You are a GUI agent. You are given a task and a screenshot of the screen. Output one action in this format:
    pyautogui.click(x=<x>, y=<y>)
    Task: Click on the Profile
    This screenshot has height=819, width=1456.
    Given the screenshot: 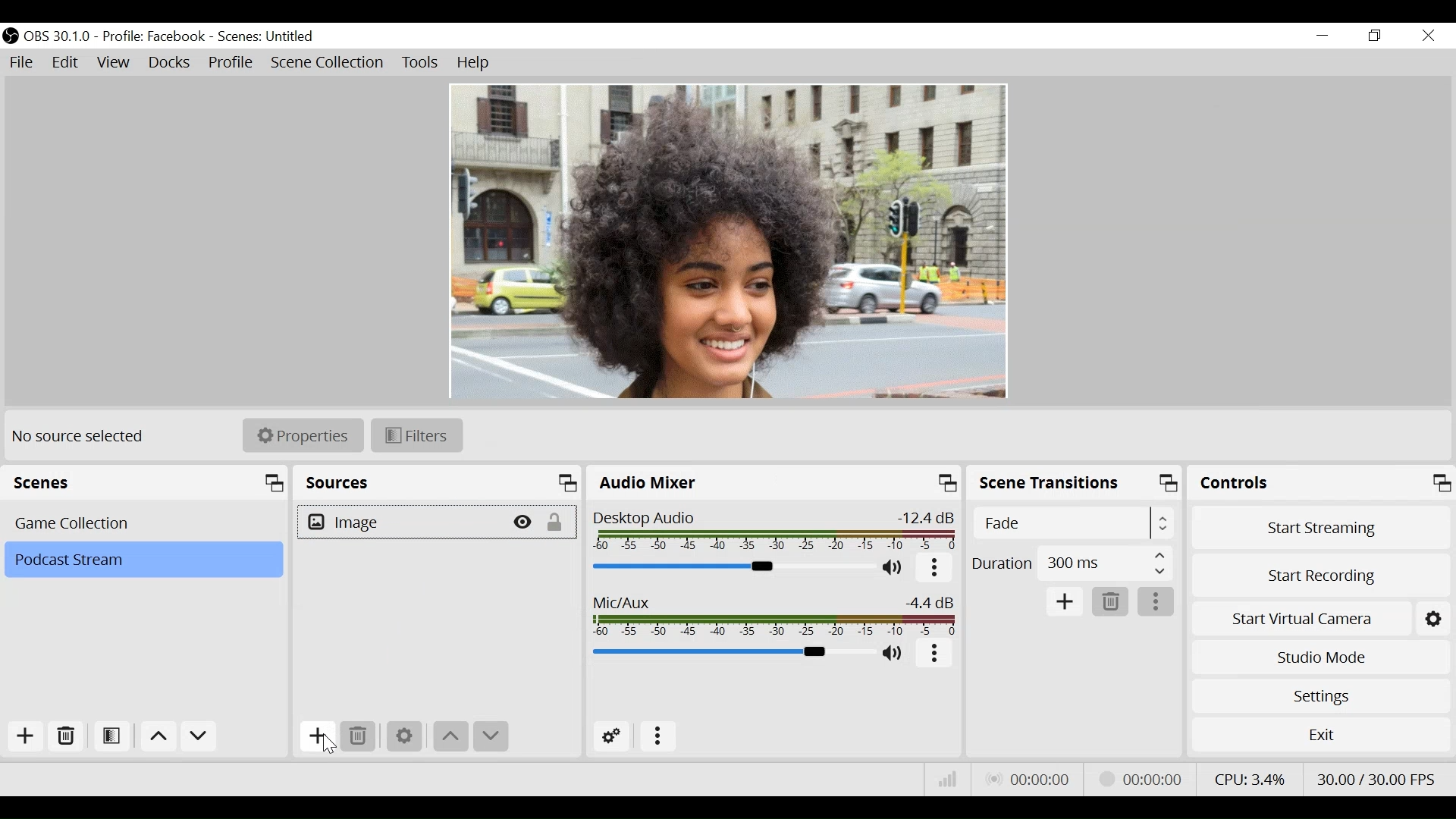 What is the action you would take?
    pyautogui.click(x=154, y=36)
    